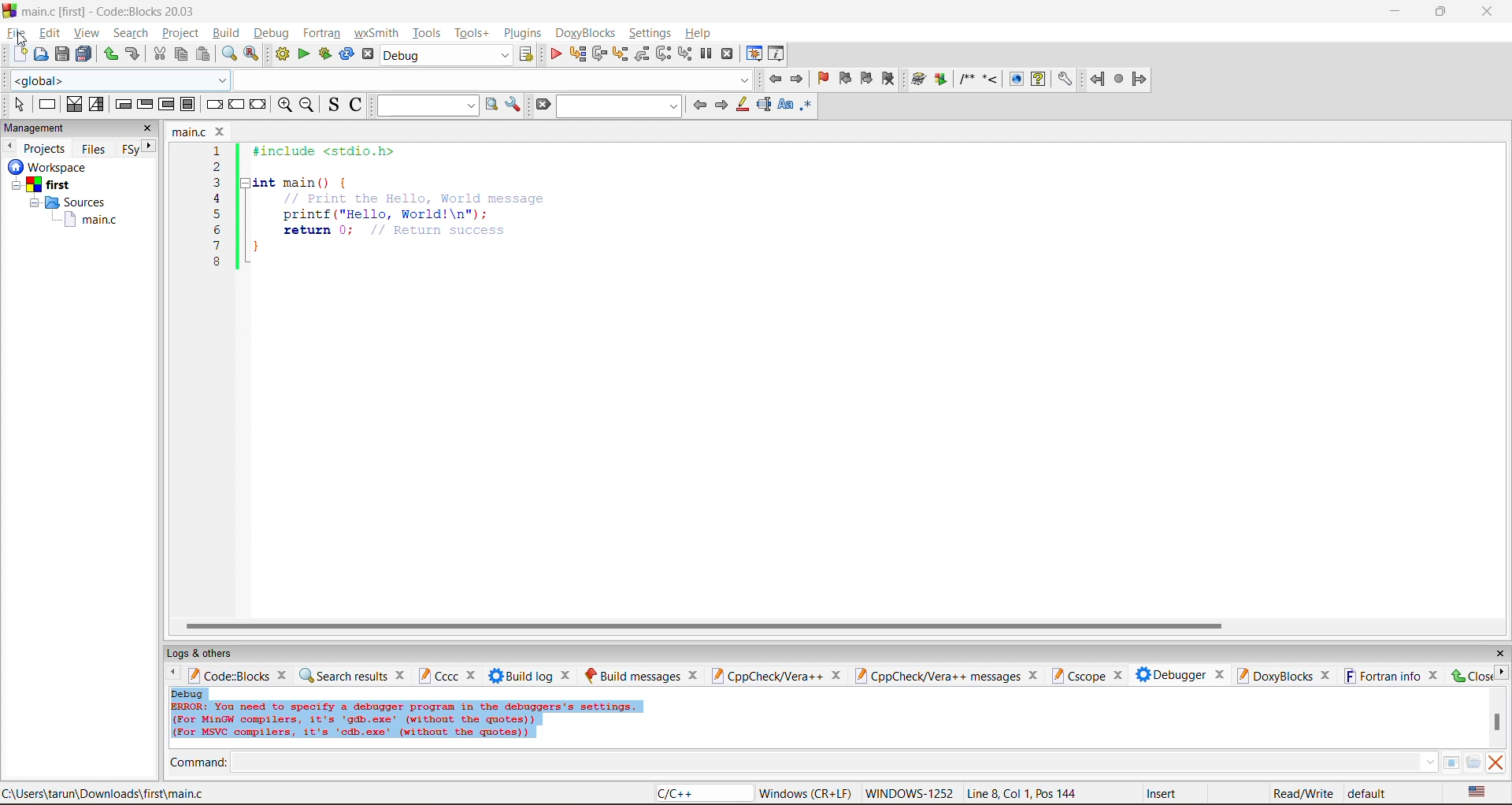 This screenshot has height=805, width=1512. What do you see at coordinates (684, 54) in the screenshot?
I see `step into instruction` at bounding box center [684, 54].